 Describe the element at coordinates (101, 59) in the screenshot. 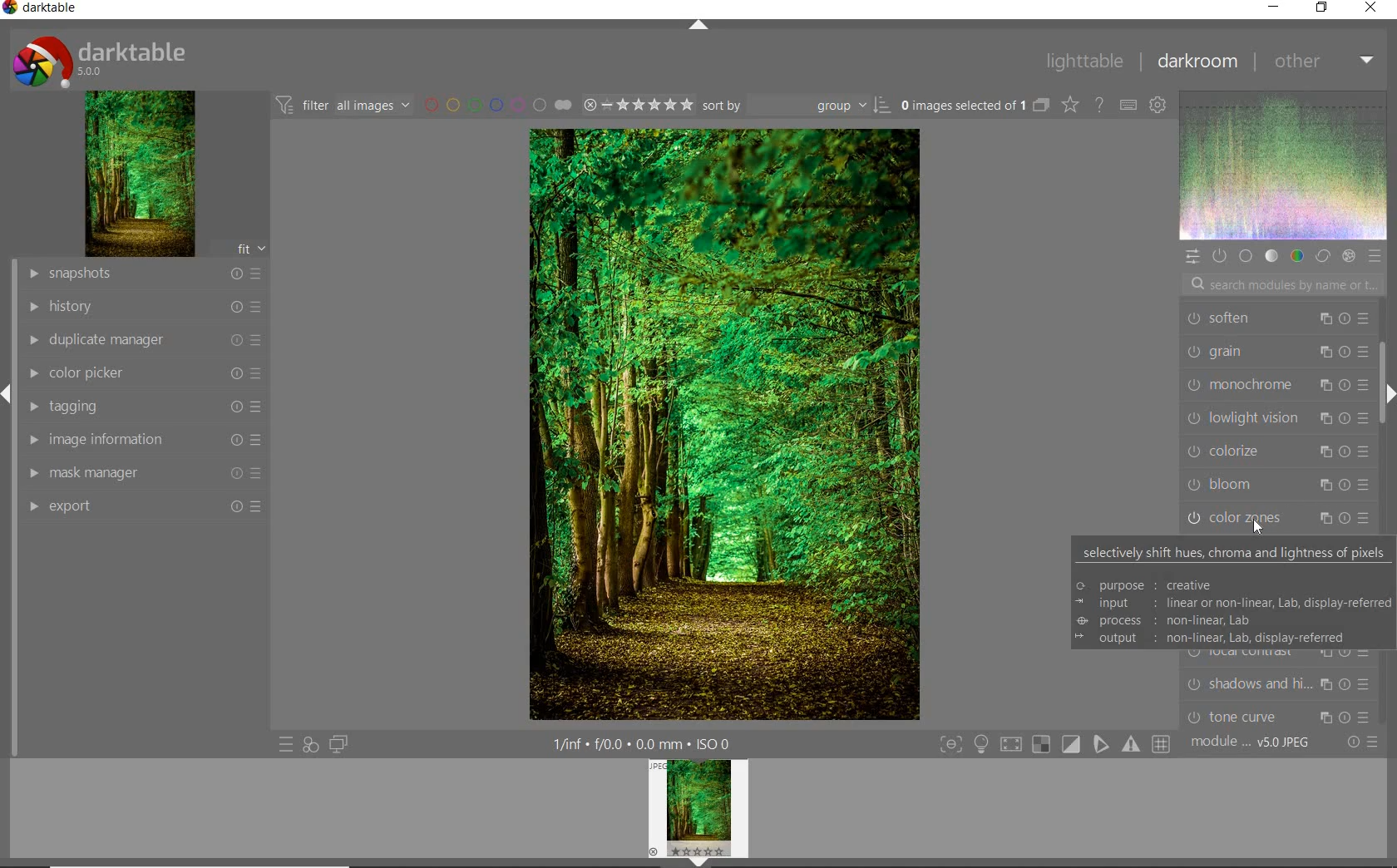

I see `SYSTEM LOGO & NAME` at that location.